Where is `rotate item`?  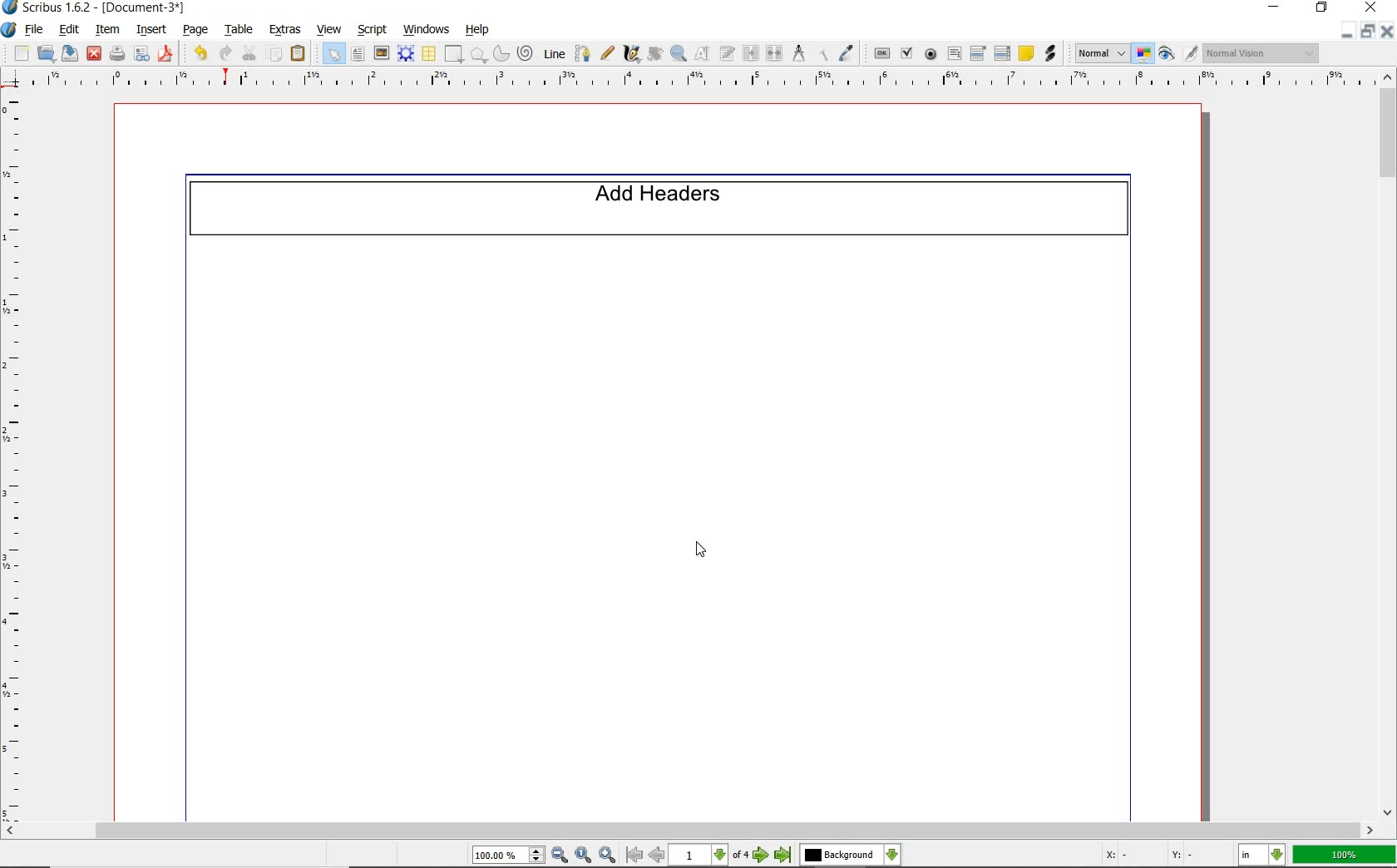
rotate item is located at coordinates (654, 54).